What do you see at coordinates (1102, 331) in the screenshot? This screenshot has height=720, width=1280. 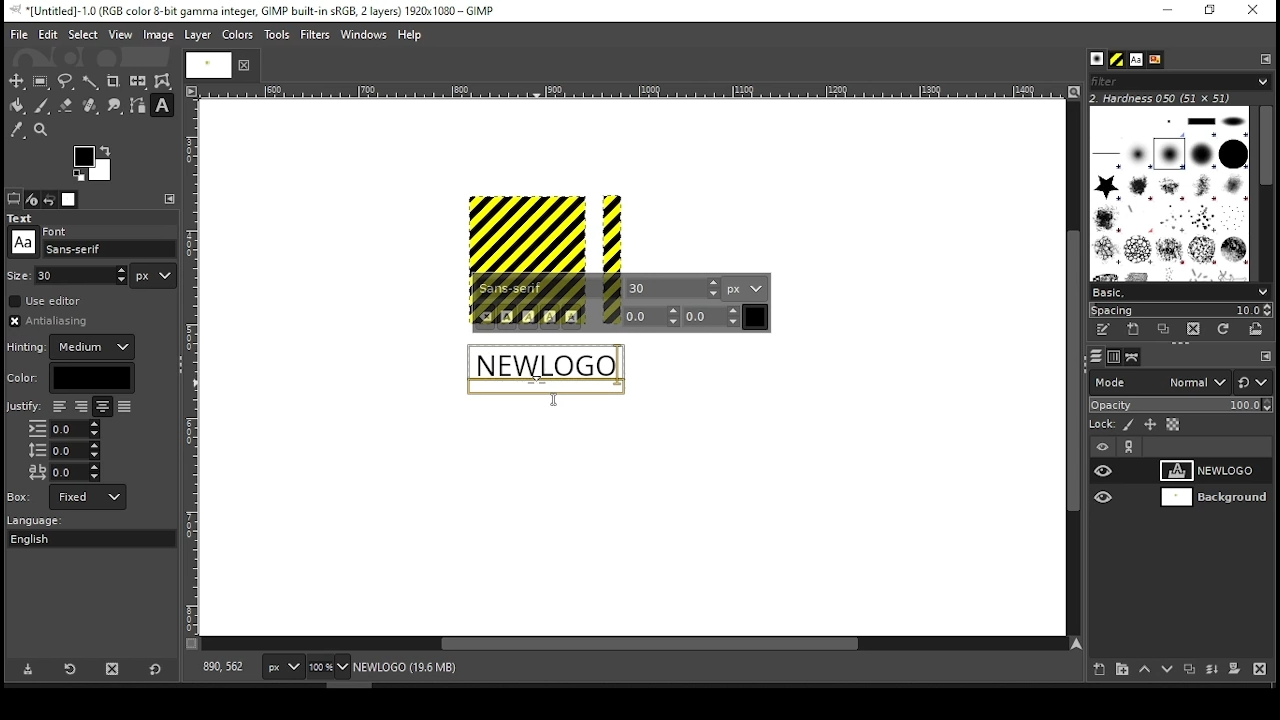 I see `edit this brush` at bounding box center [1102, 331].